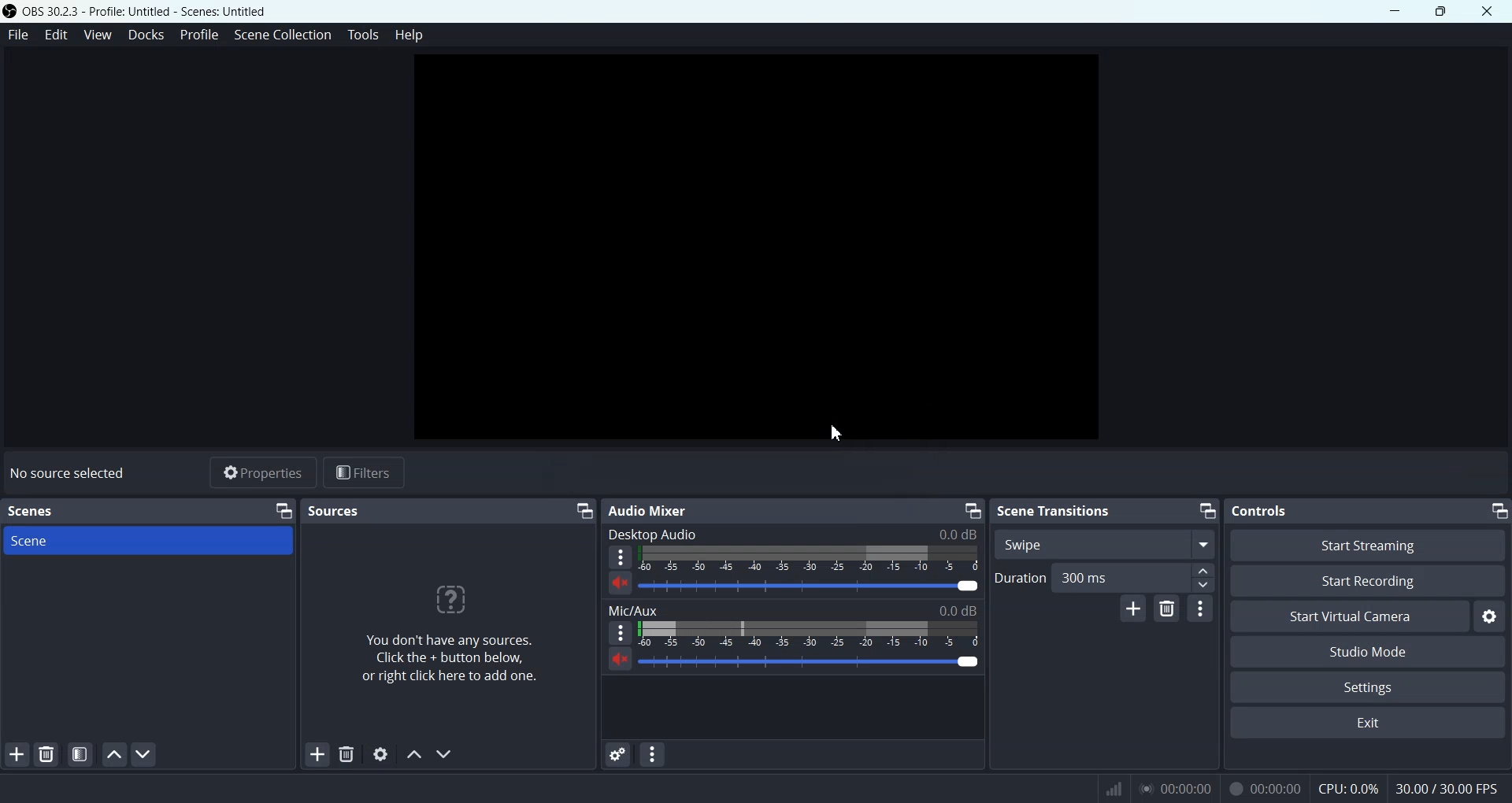 The height and width of the screenshot is (803, 1512). What do you see at coordinates (79, 754) in the screenshot?
I see `Open scene Filter` at bounding box center [79, 754].